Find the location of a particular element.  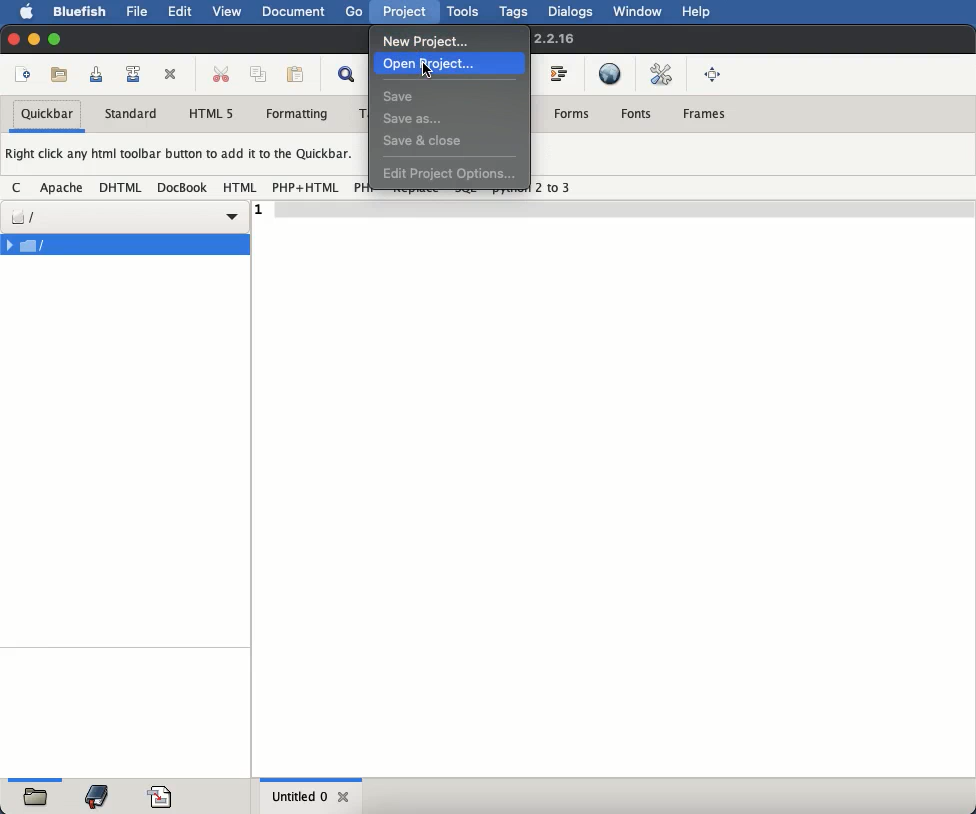

show find bar is located at coordinates (347, 76).